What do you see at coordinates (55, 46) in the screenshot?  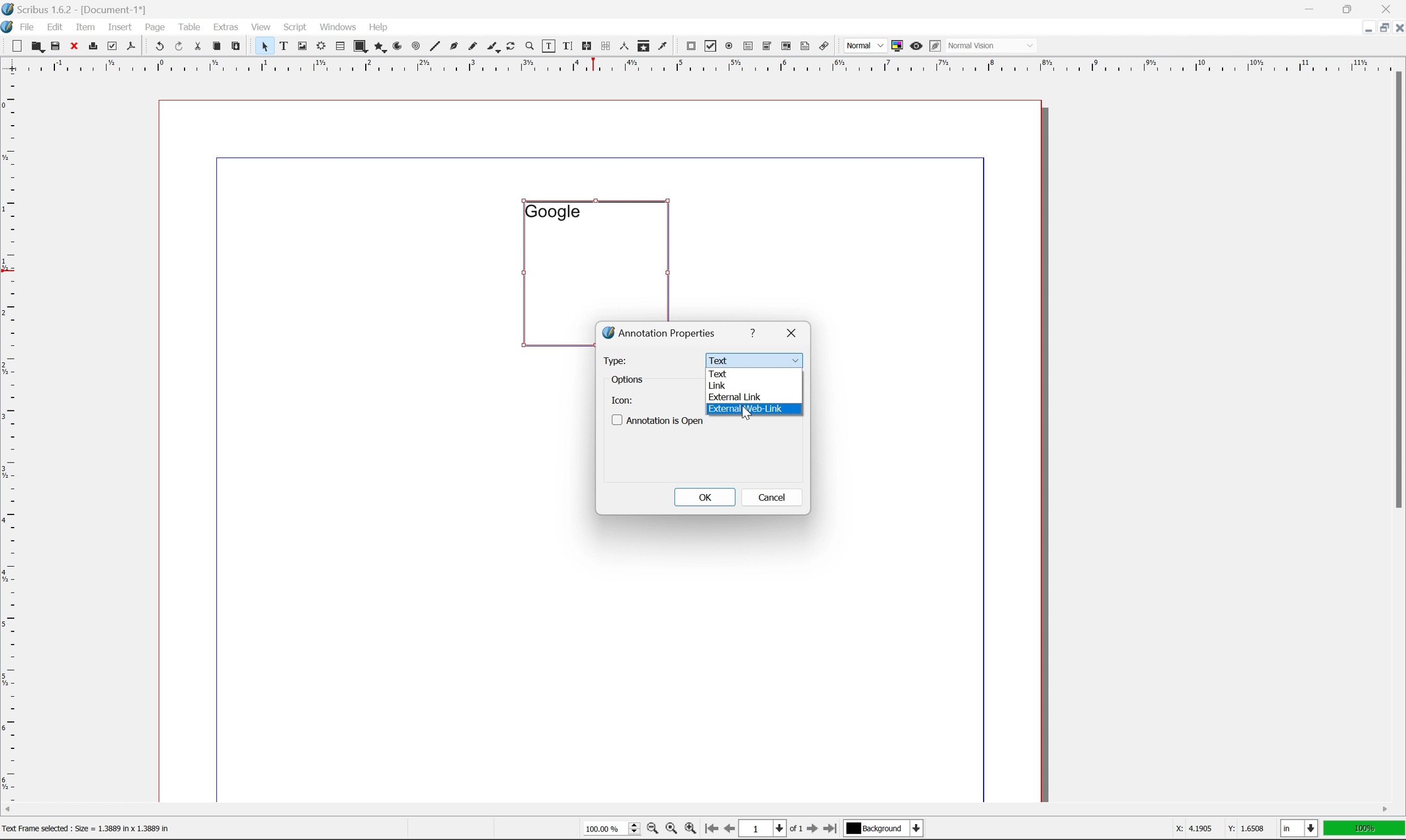 I see `save` at bounding box center [55, 46].